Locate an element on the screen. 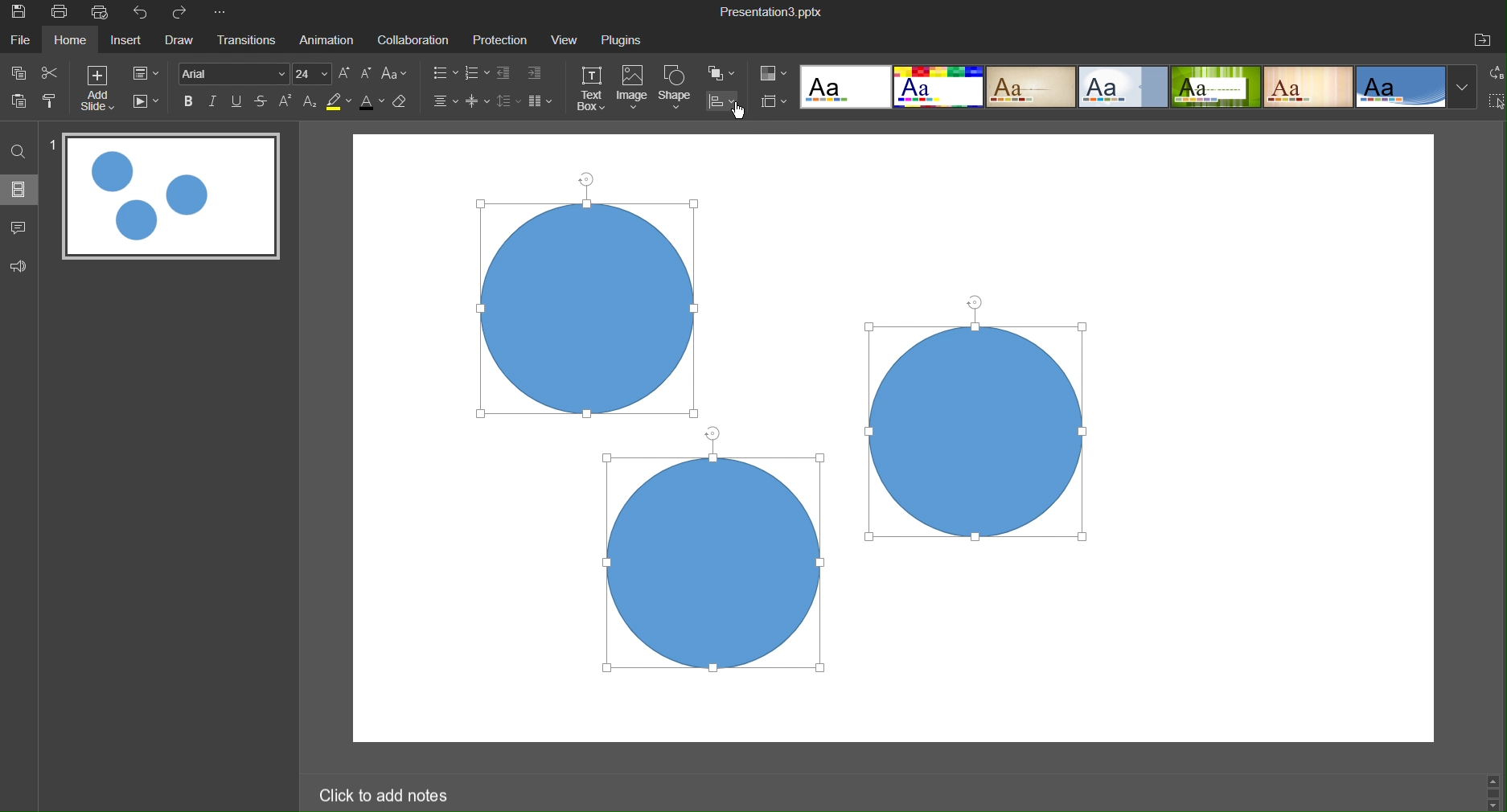 This screenshot has width=1507, height=812. File is located at coordinates (22, 43).